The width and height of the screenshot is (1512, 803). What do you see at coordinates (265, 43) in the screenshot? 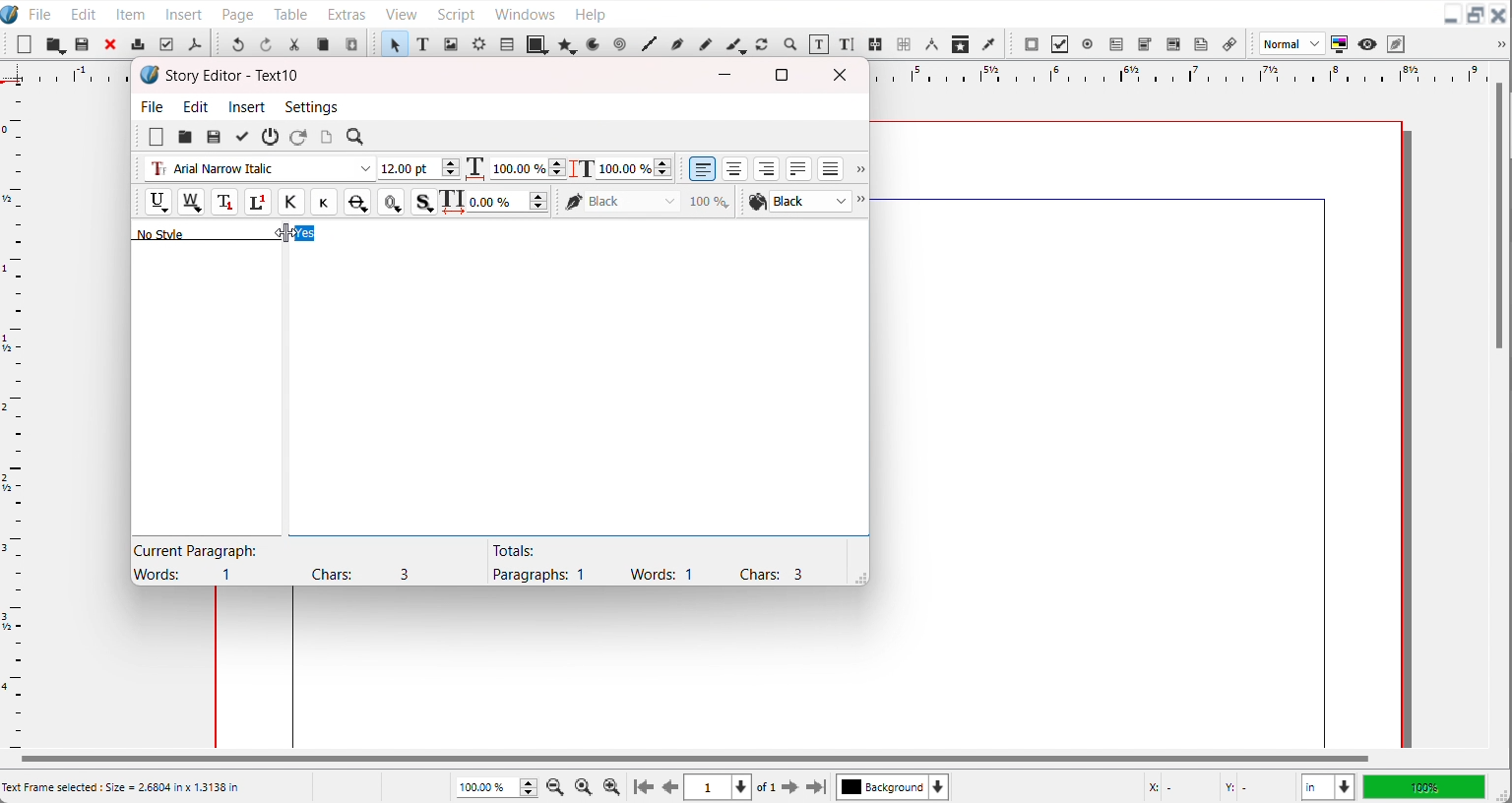
I see `Redo` at bounding box center [265, 43].